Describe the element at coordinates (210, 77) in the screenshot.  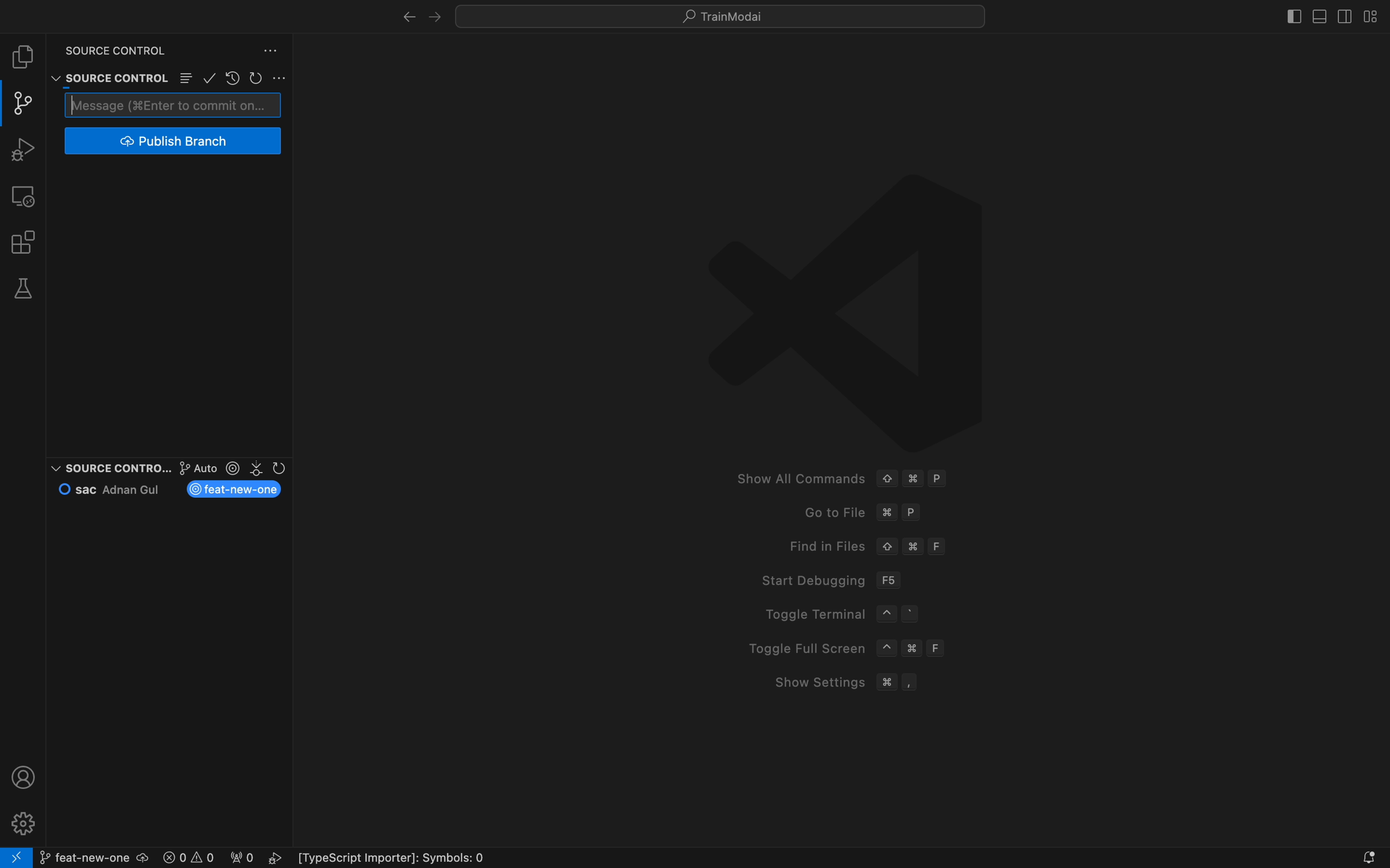
I see `ok` at that location.